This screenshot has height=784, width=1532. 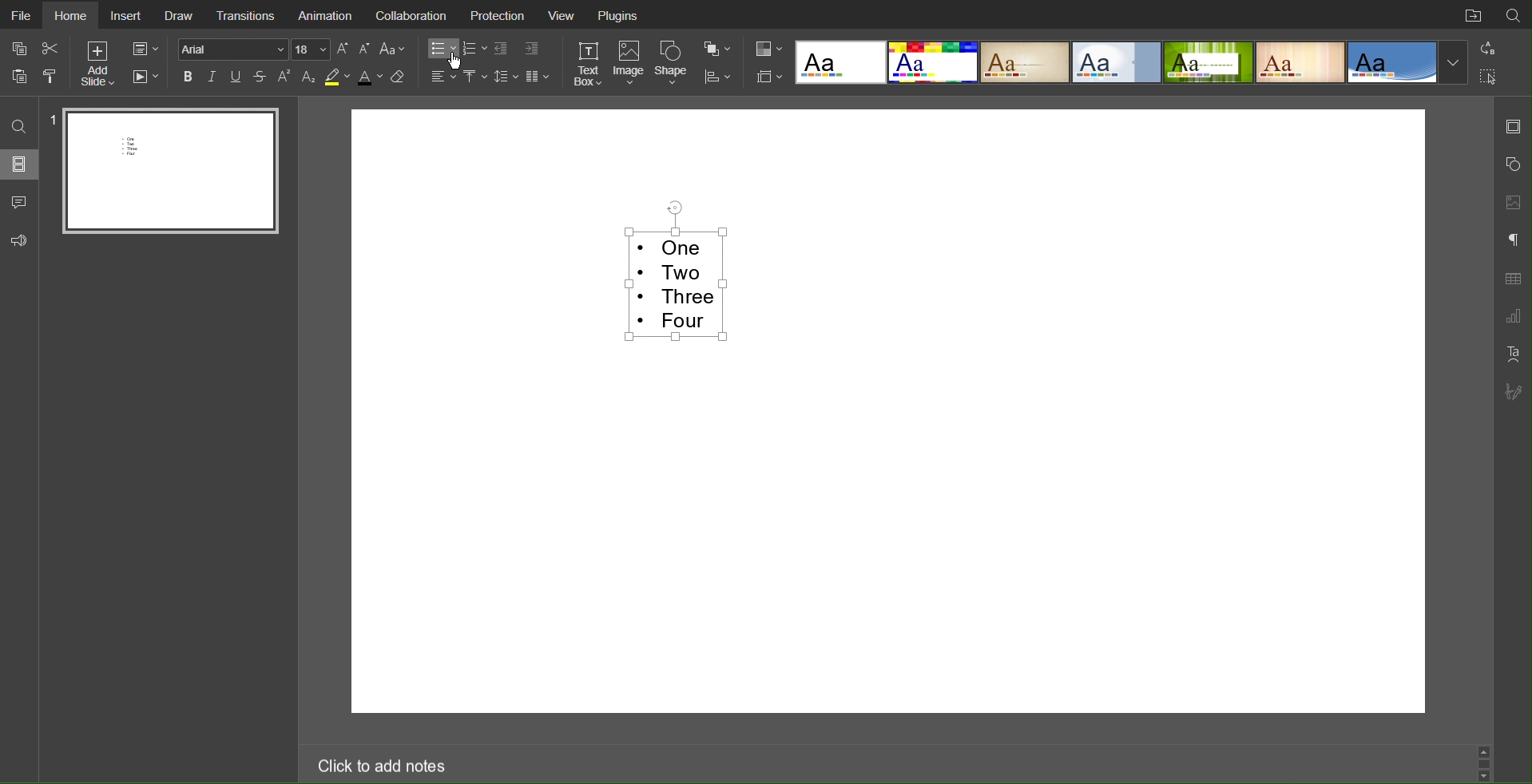 I want to click on Image, so click(x=629, y=66).